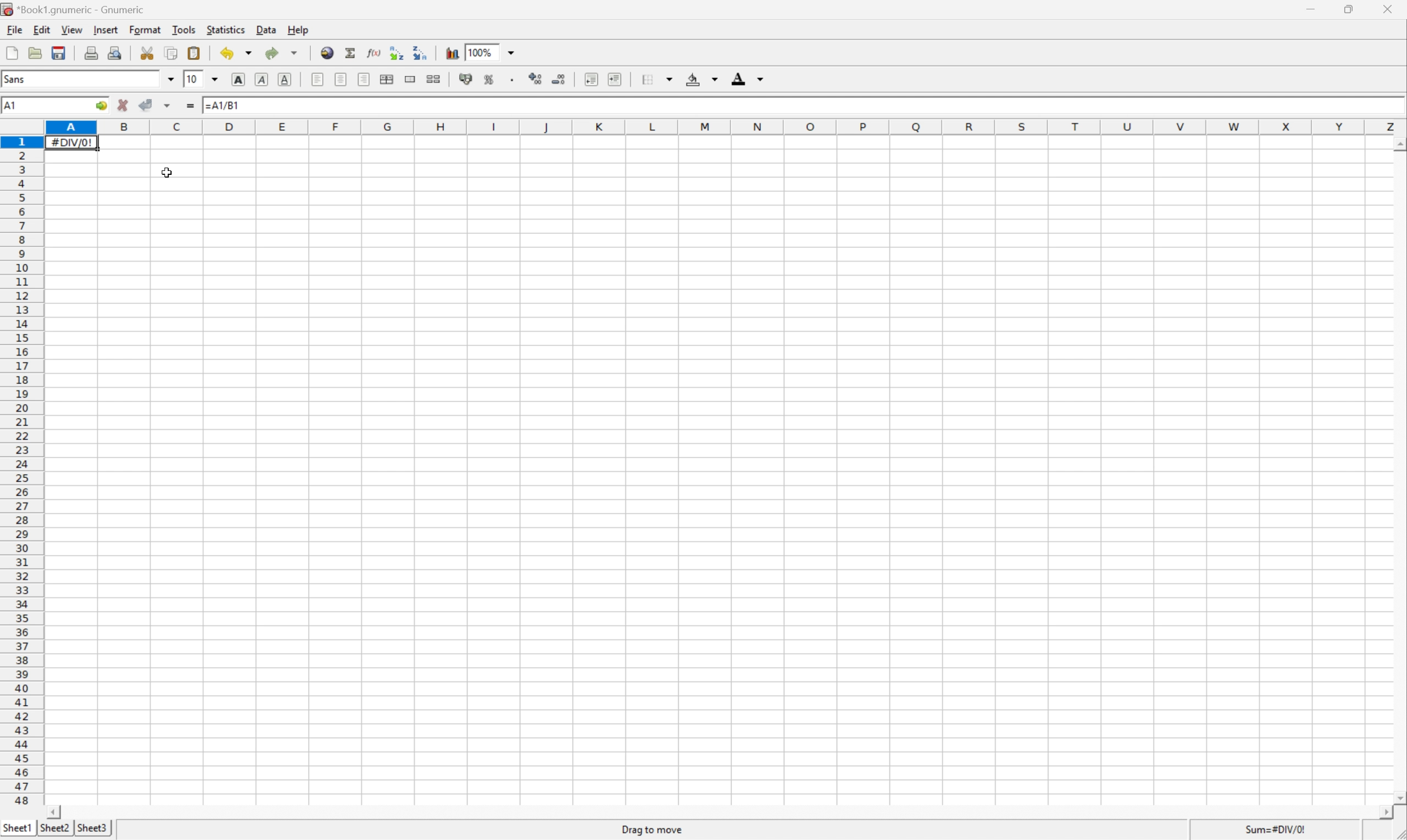 This screenshot has width=1407, height=840. What do you see at coordinates (226, 54) in the screenshot?
I see `Undo` at bounding box center [226, 54].